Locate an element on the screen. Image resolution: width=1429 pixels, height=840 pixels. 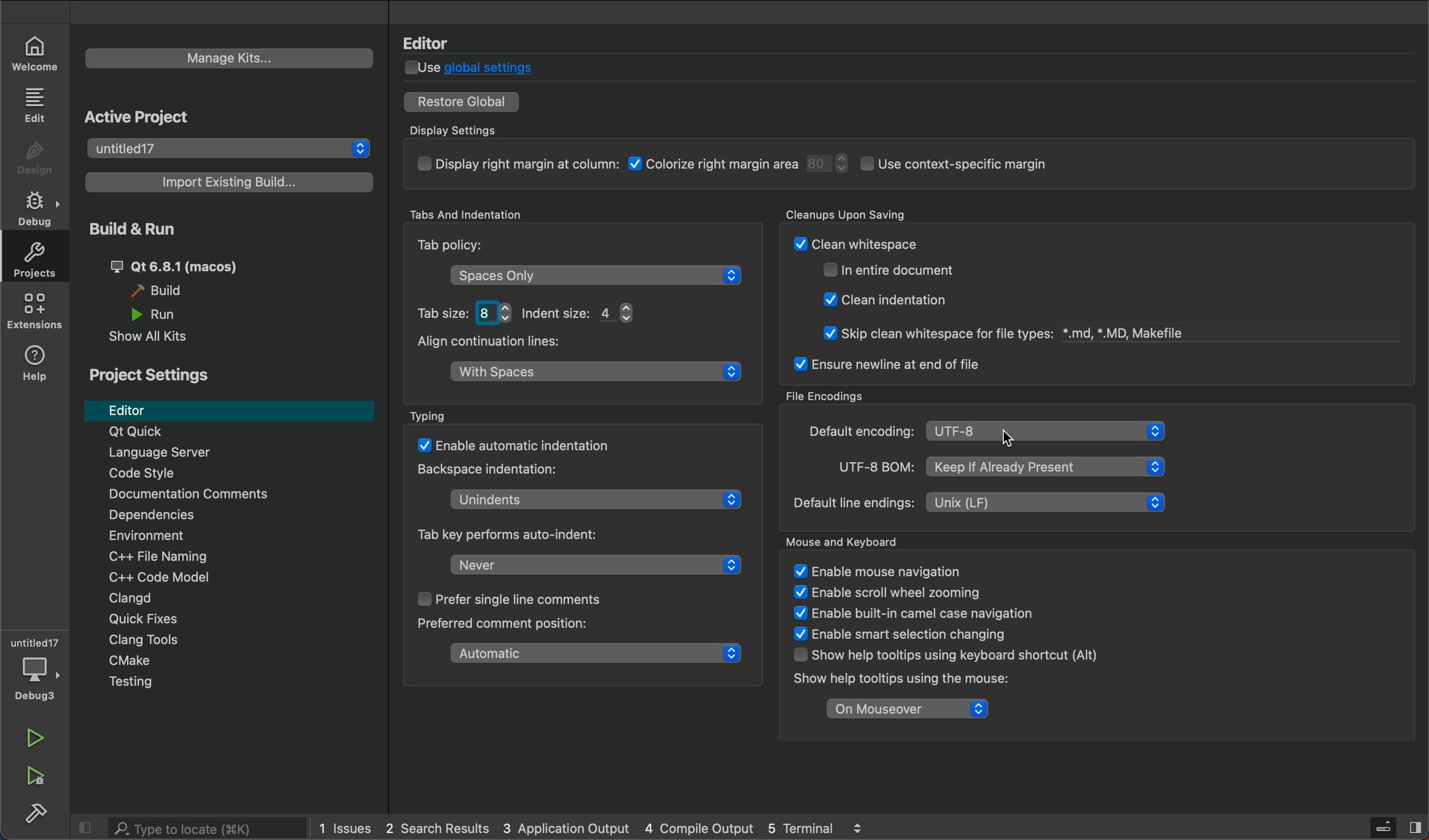
terminal is located at coordinates (834, 825).